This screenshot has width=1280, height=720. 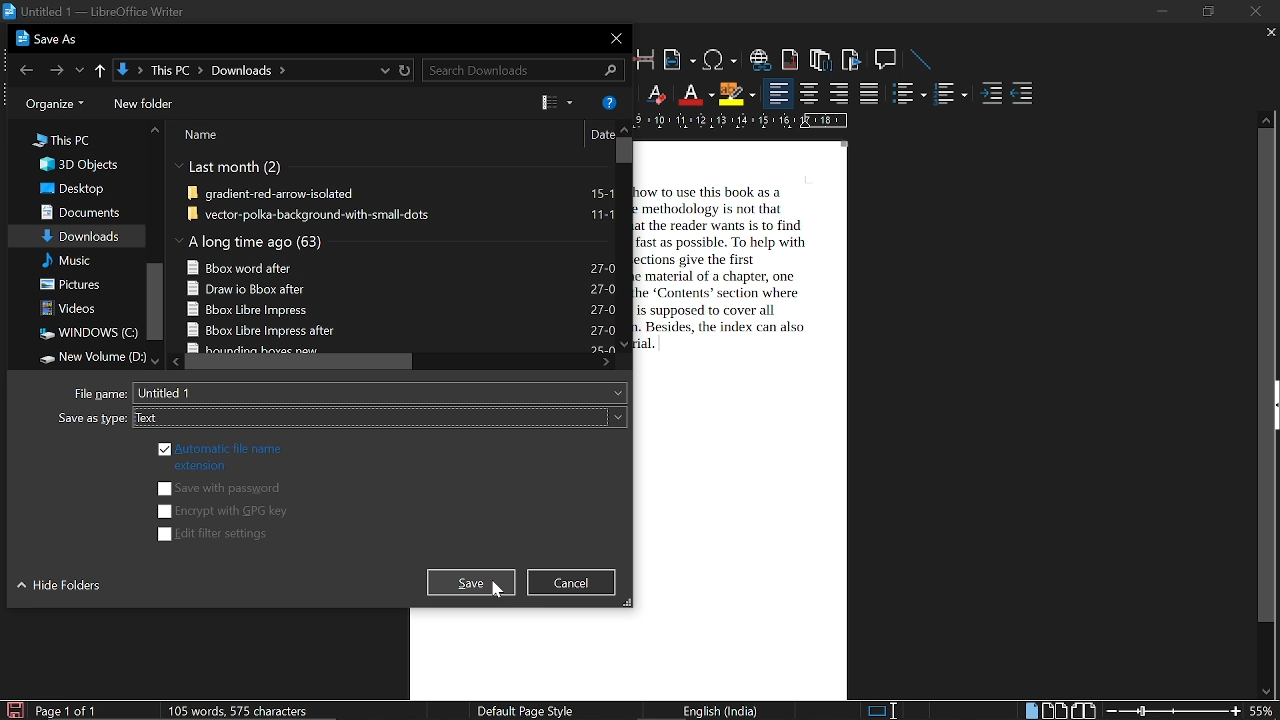 I want to click on vertical scrollbar, so click(x=153, y=303).